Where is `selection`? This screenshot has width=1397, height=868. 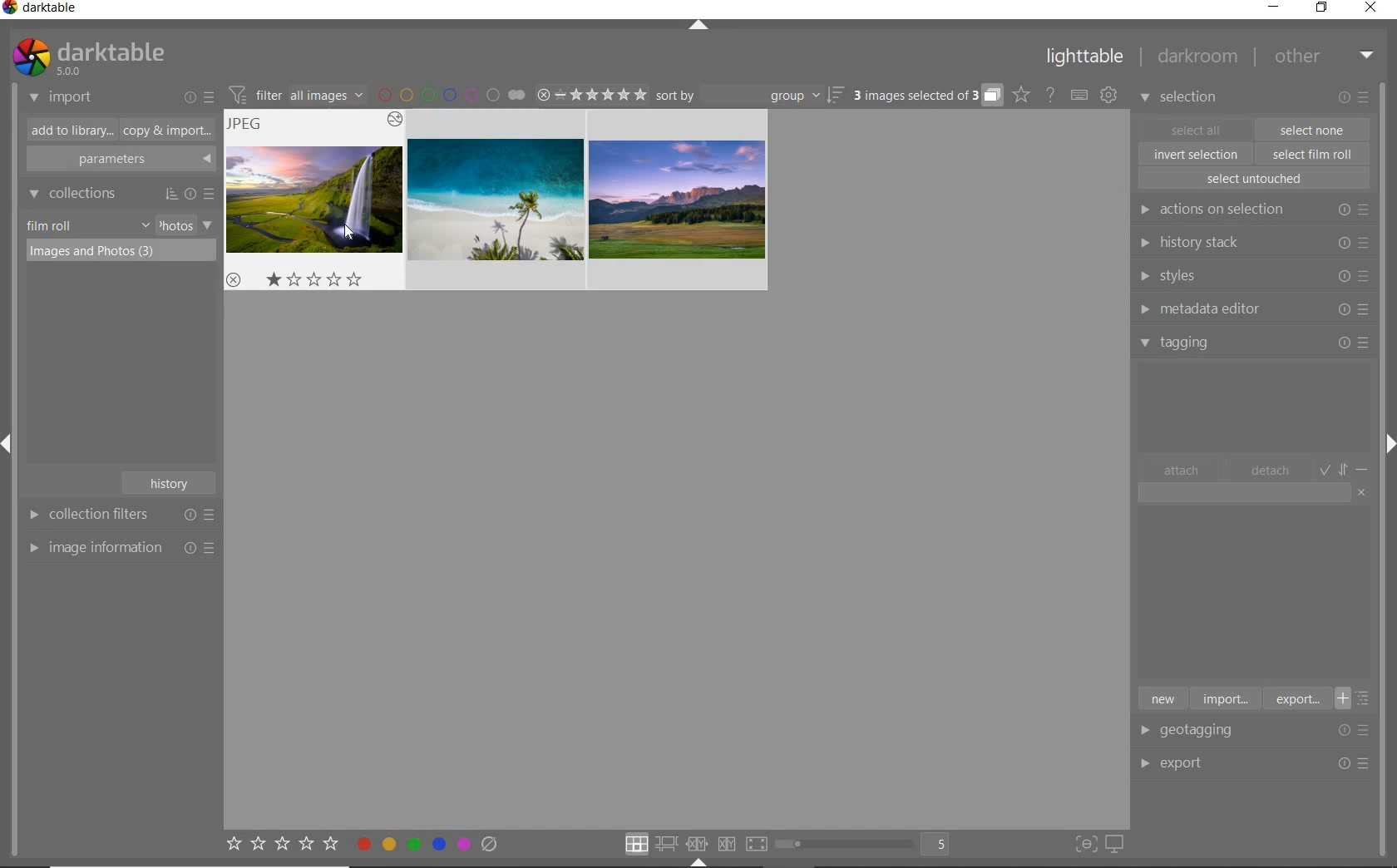 selection is located at coordinates (1181, 99).